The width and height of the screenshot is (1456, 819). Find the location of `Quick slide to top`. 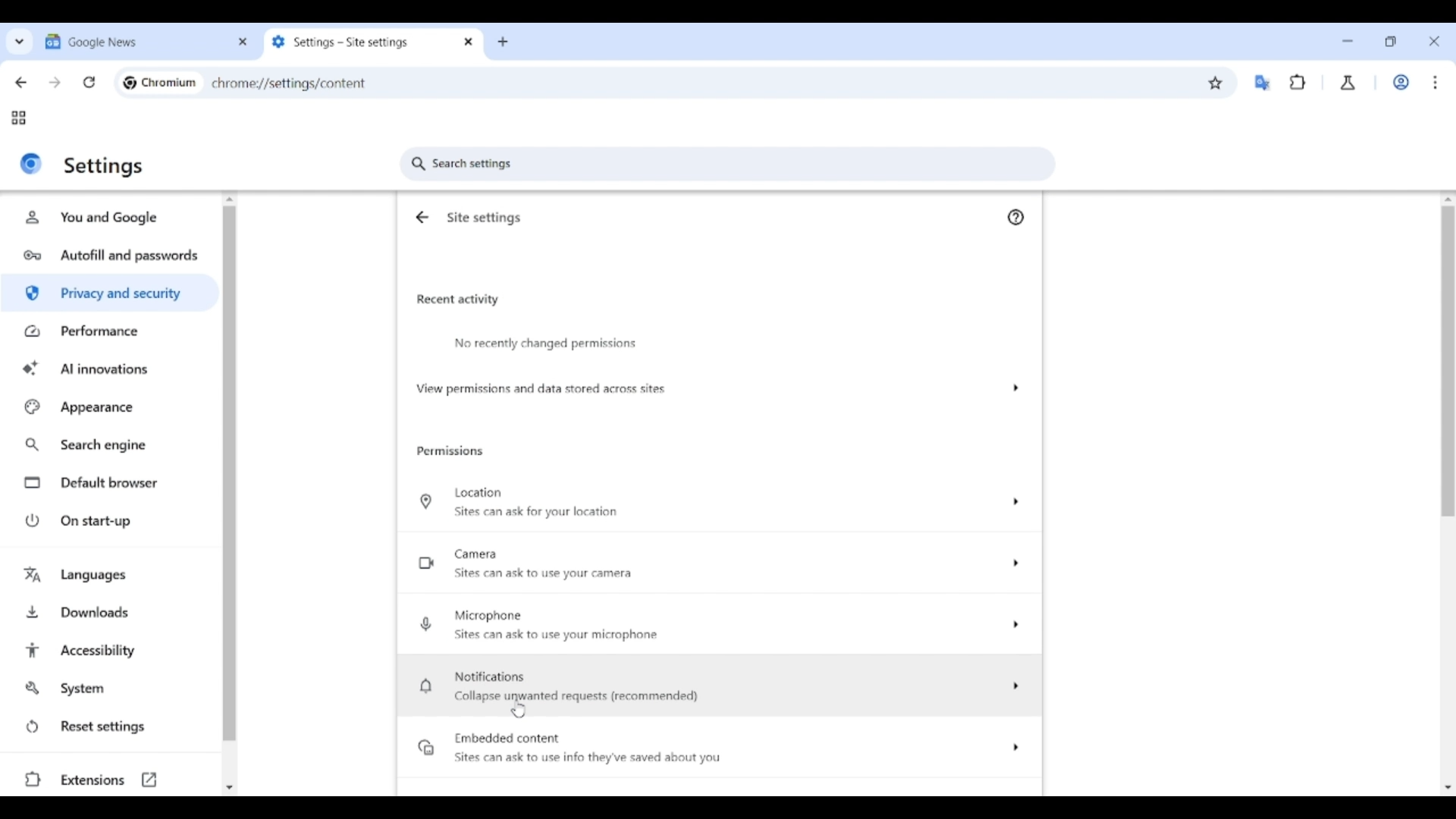

Quick slide to top is located at coordinates (1448, 199).